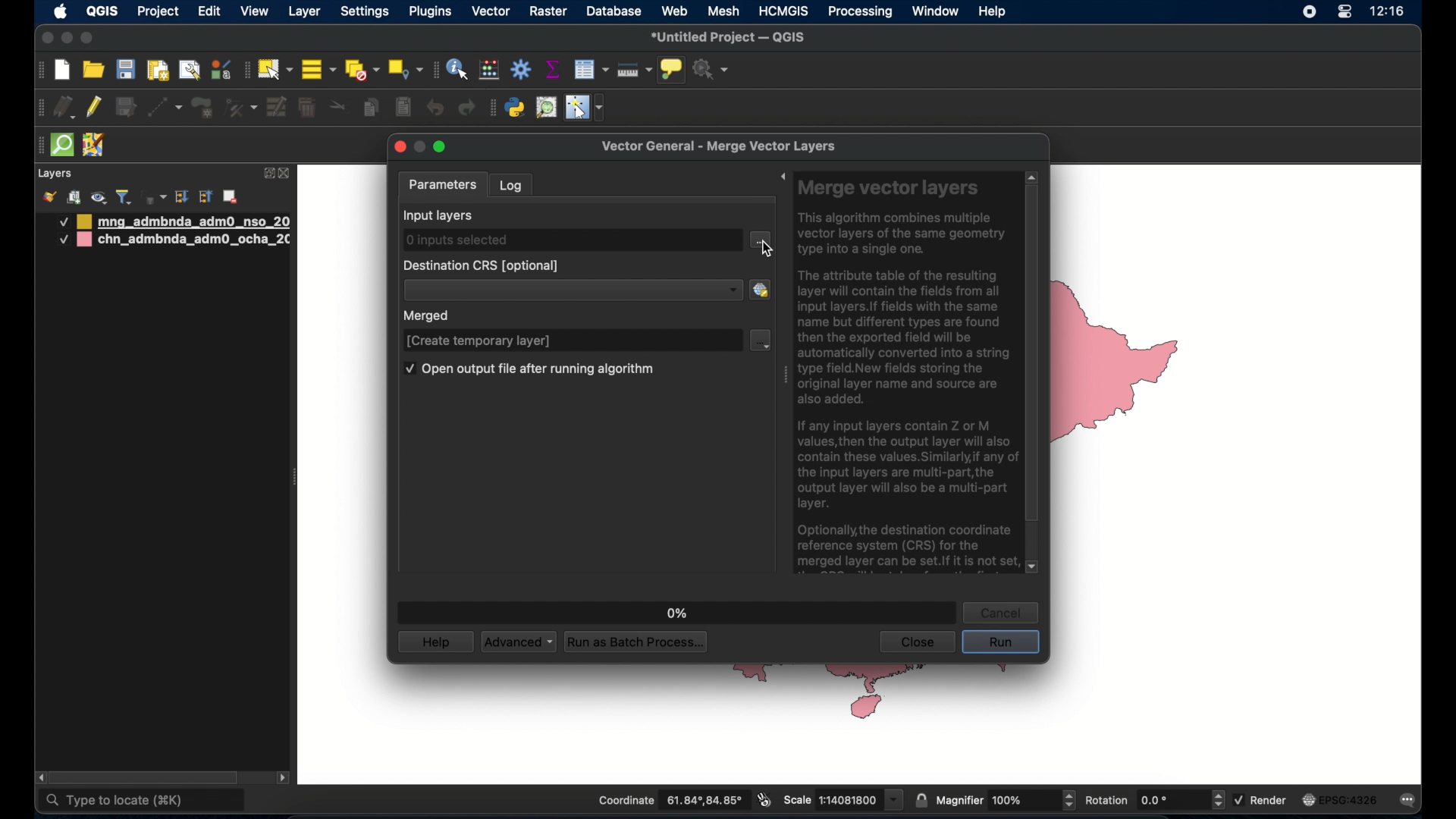 The height and width of the screenshot is (819, 1456). I want to click on 0 inputs selected, so click(456, 240).